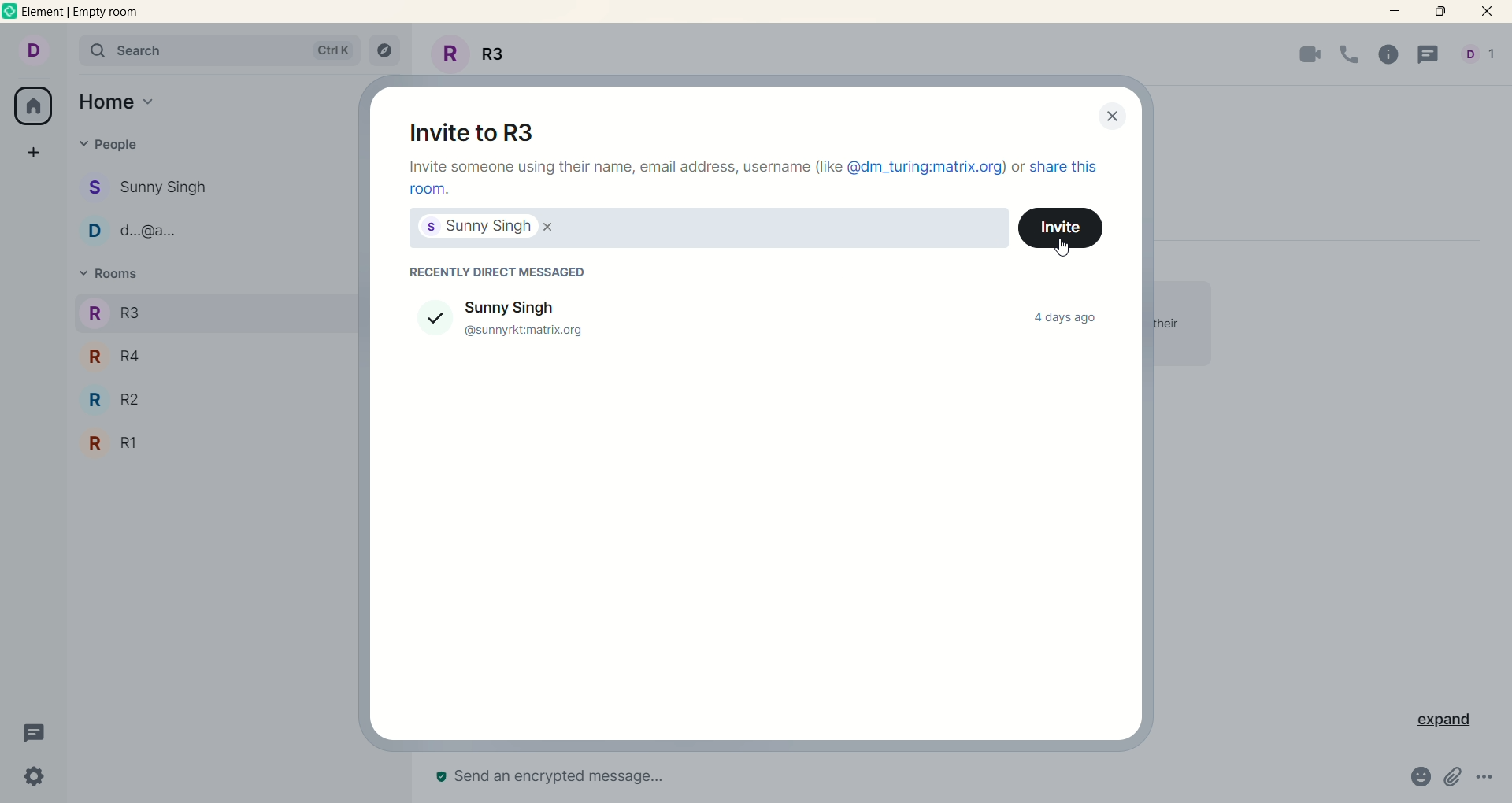  I want to click on element, so click(83, 12).